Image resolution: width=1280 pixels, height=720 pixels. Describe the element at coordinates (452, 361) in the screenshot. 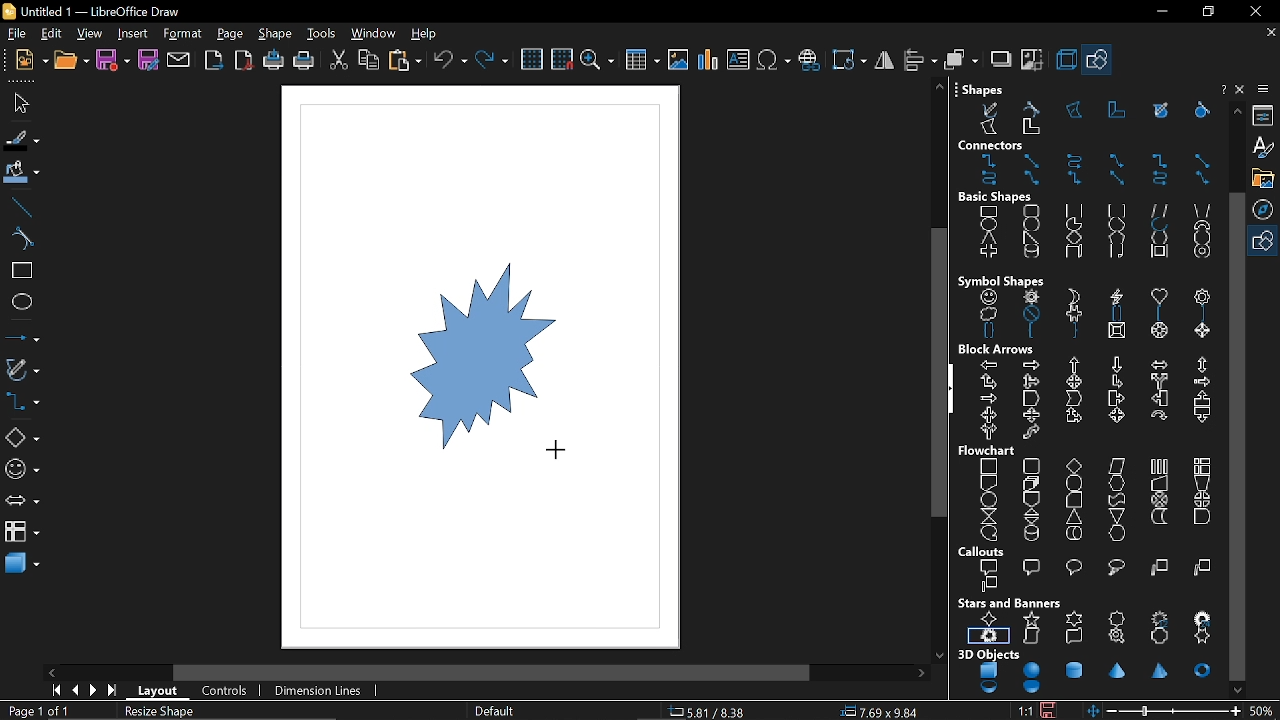

I see `Add a starburst shape with custom points added` at that location.